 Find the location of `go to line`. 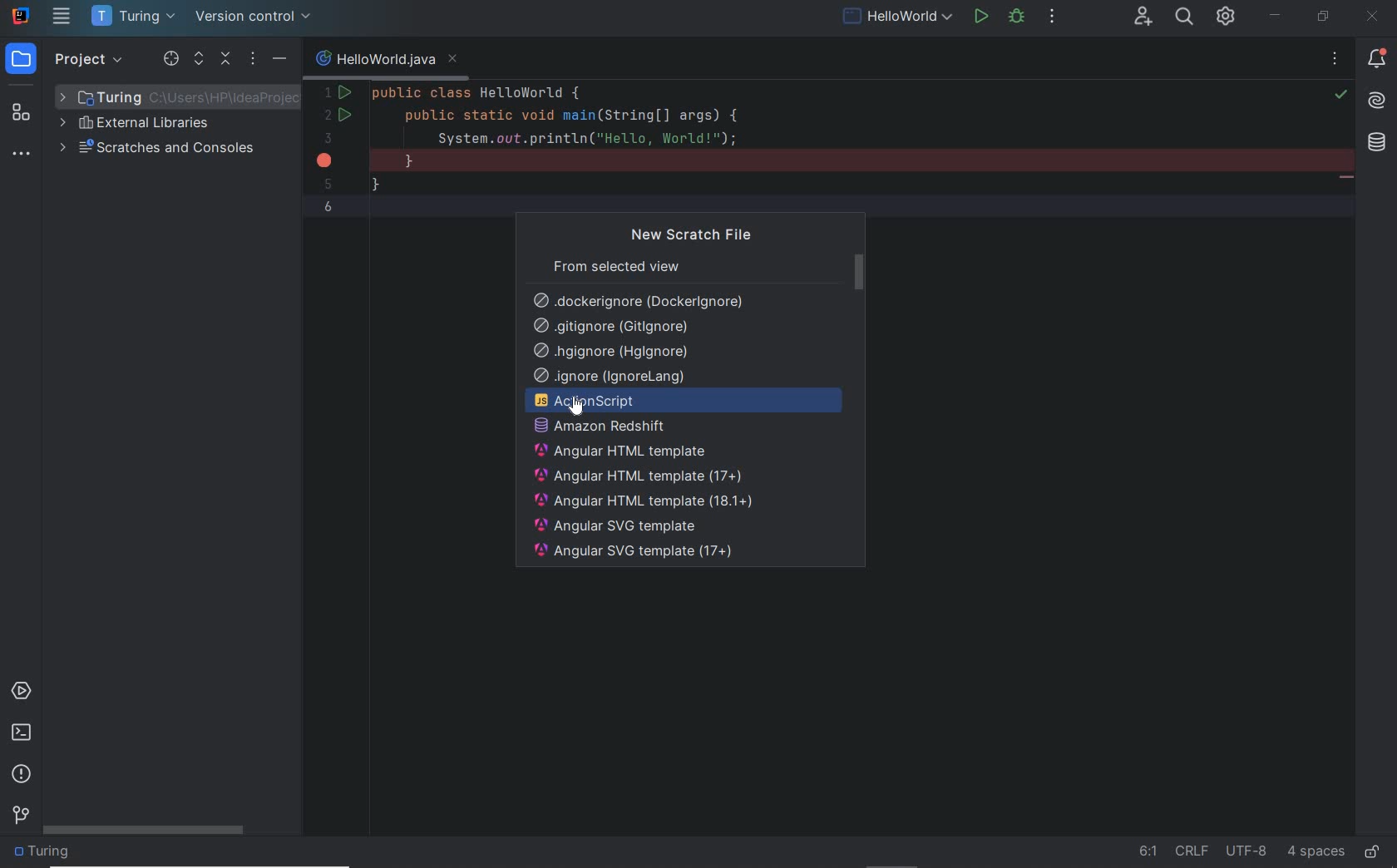

go to line is located at coordinates (1148, 851).